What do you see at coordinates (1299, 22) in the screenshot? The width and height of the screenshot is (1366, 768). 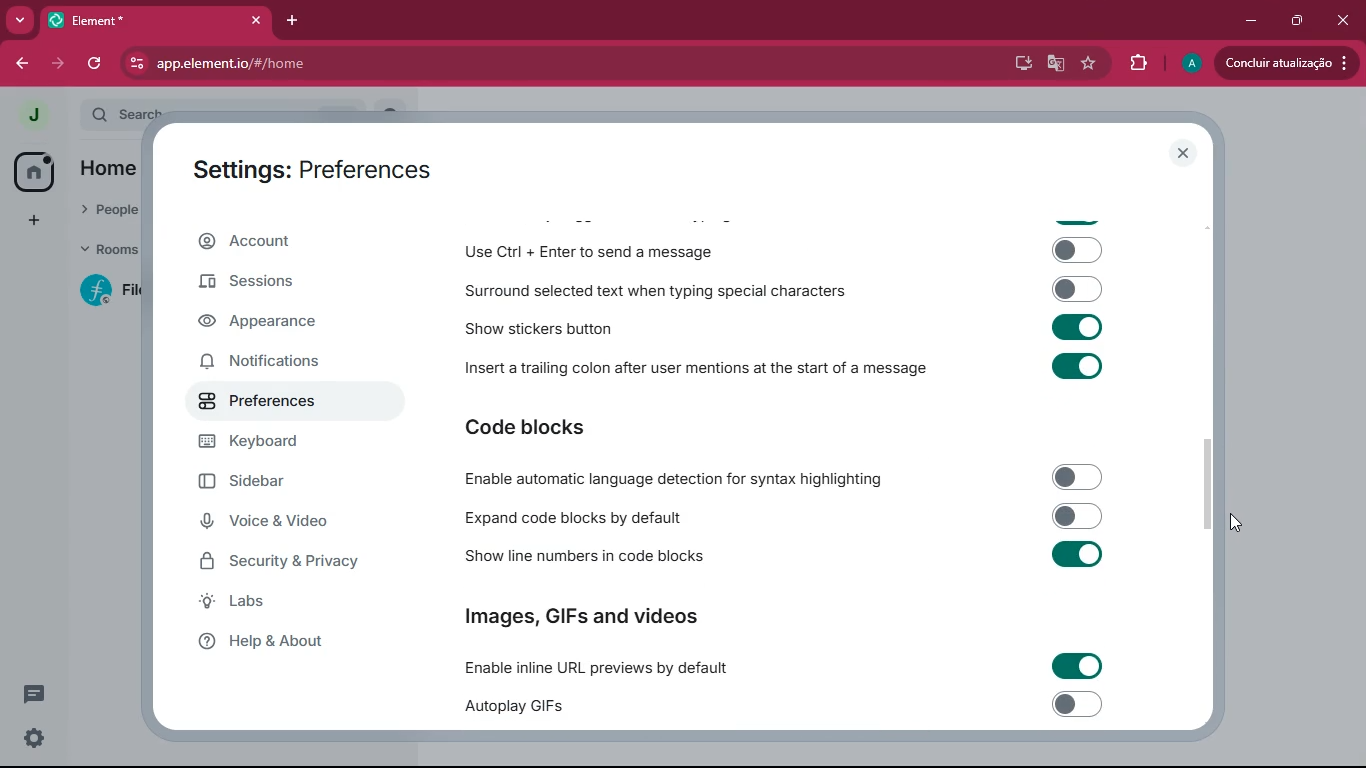 I see `maximize` at bounding box center [1299, 22].